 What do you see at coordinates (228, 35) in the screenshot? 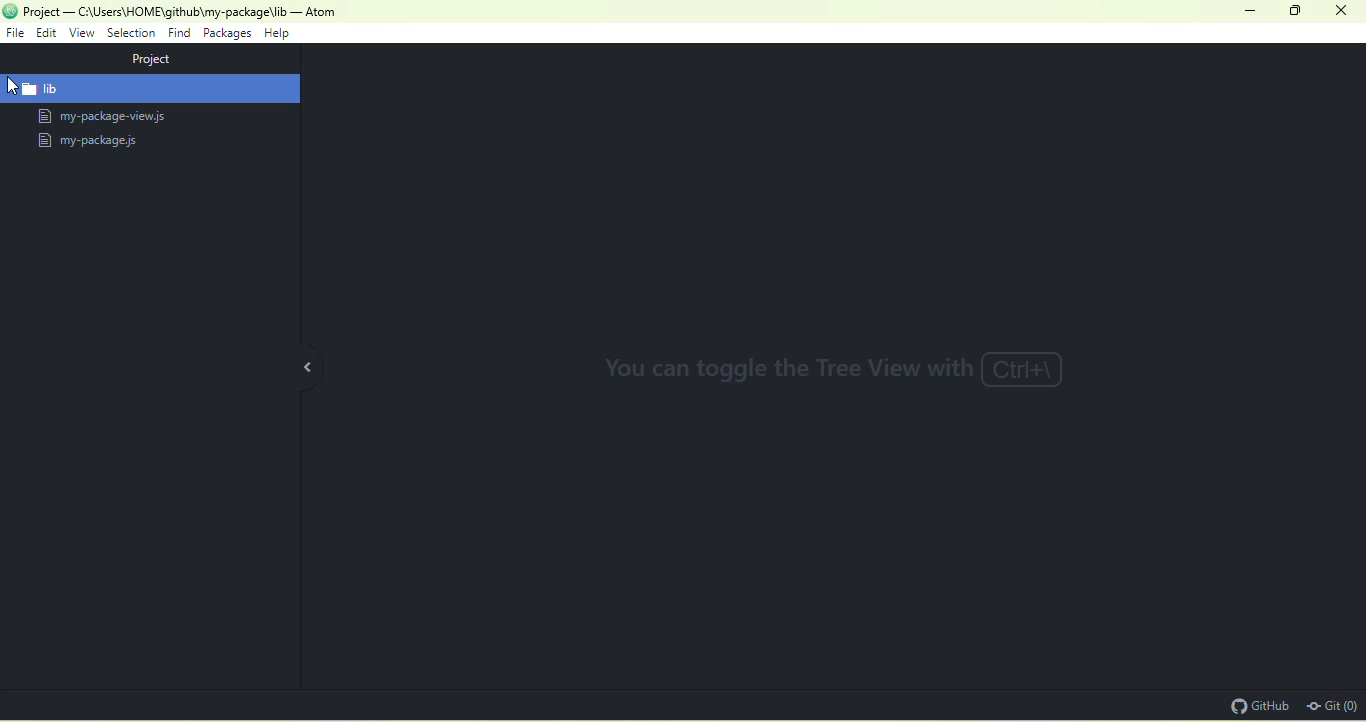
I see `packages` at bounding box center [228, 35].